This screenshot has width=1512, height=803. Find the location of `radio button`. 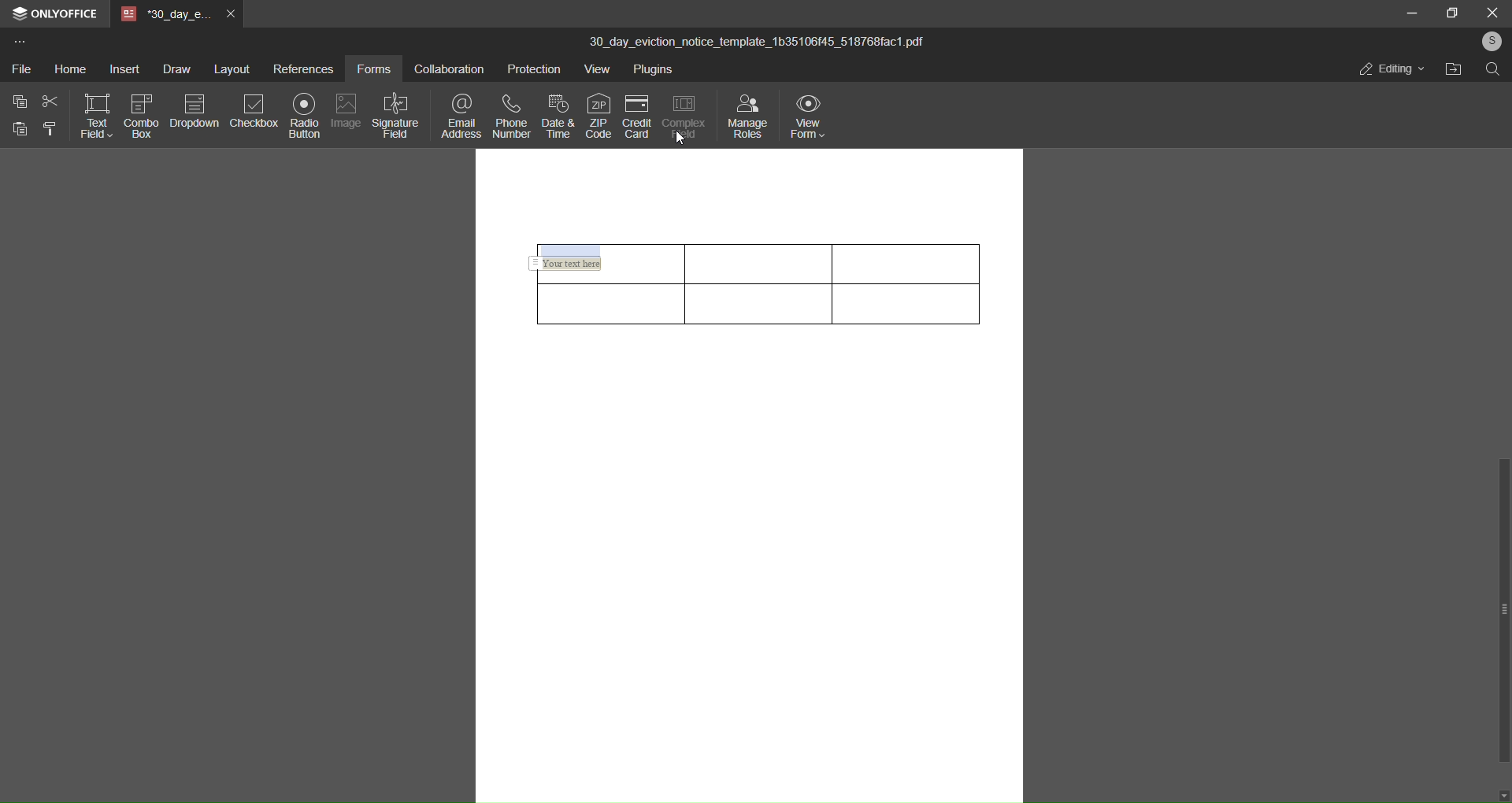

radio button is located at coordinates (302, 114).